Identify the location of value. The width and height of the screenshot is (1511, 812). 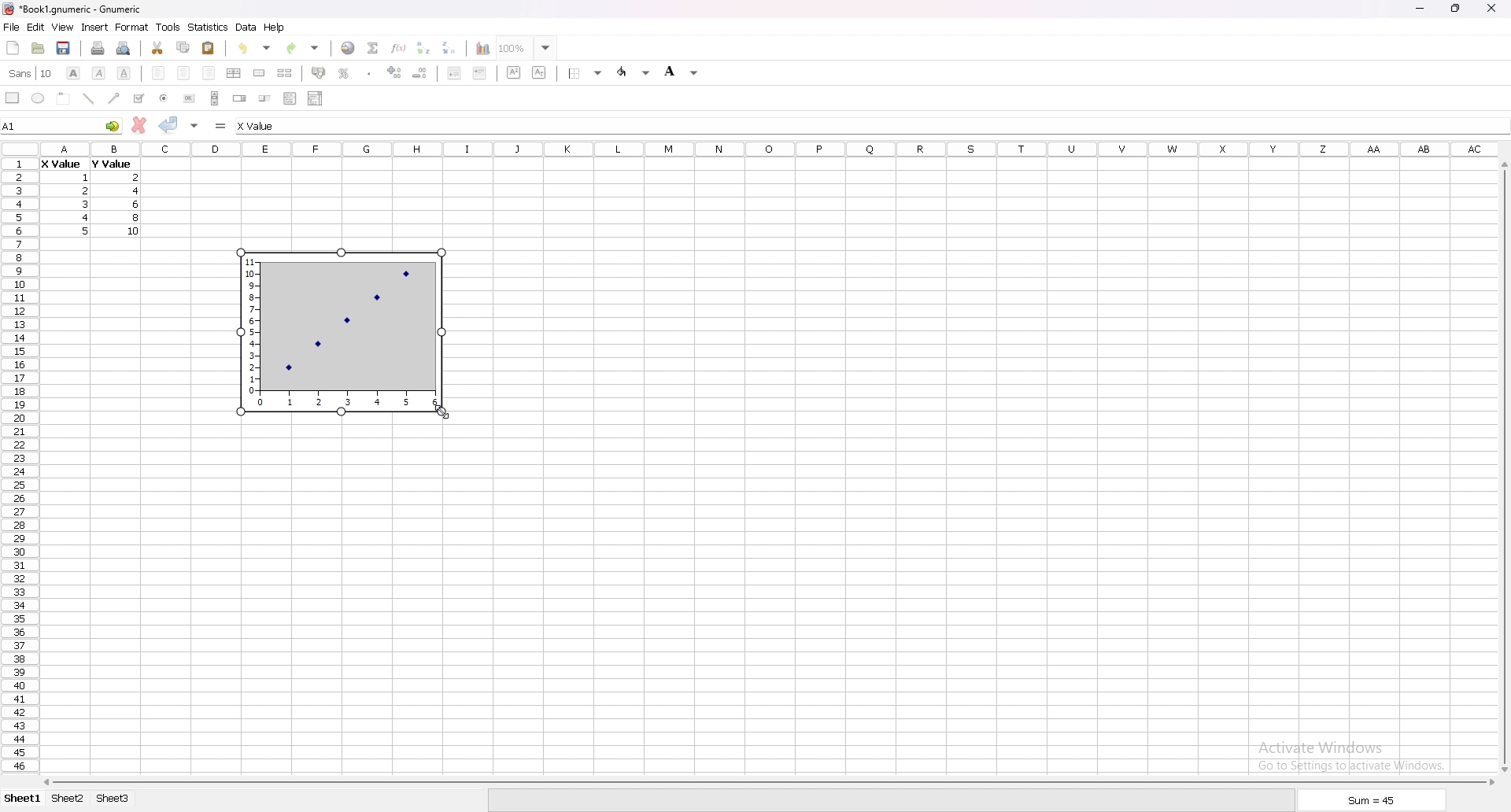
(87, 217).